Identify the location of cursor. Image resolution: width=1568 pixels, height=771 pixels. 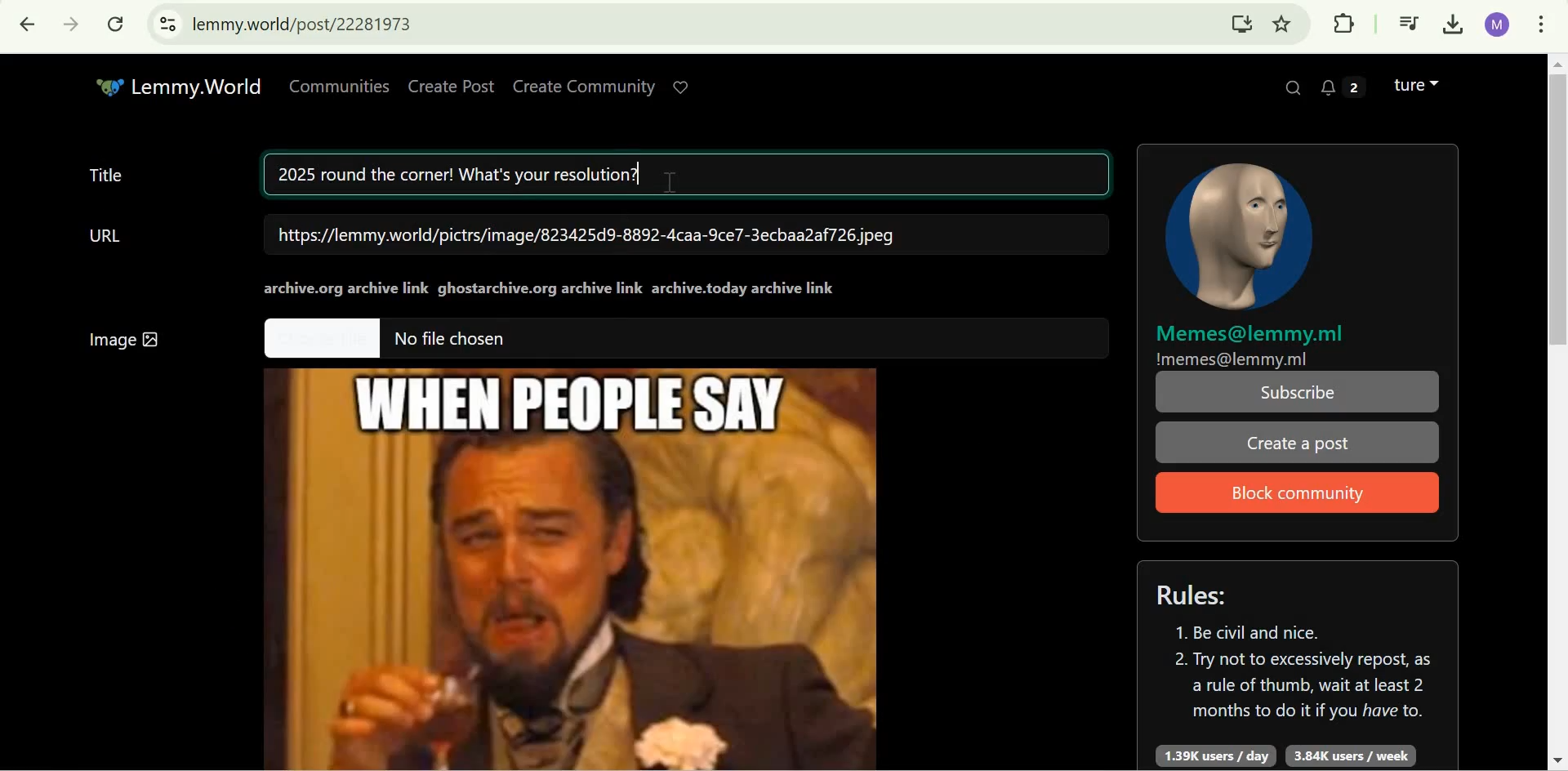
(673, 180).